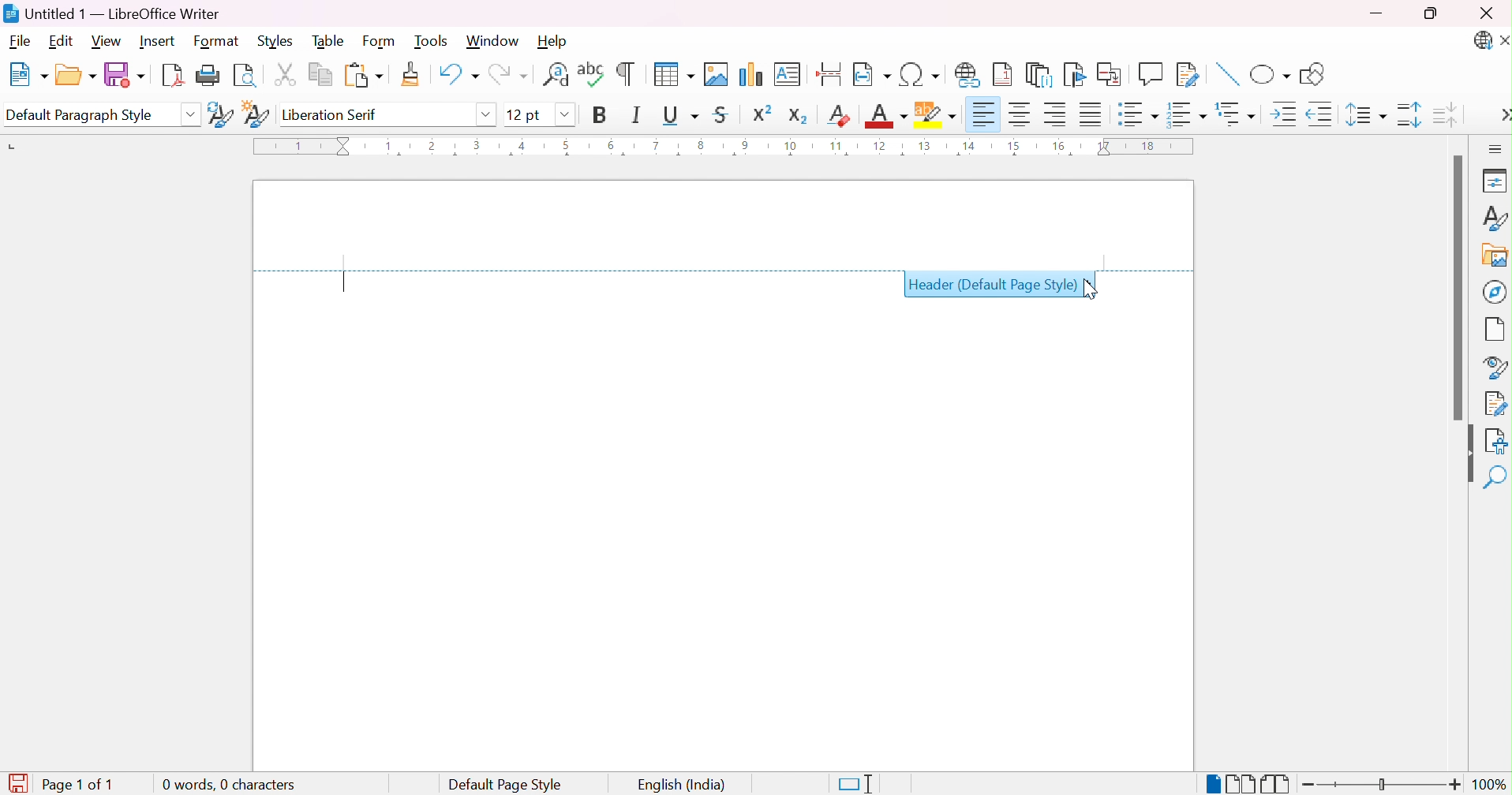  I want to click on Minimize, so click(1375, 13).